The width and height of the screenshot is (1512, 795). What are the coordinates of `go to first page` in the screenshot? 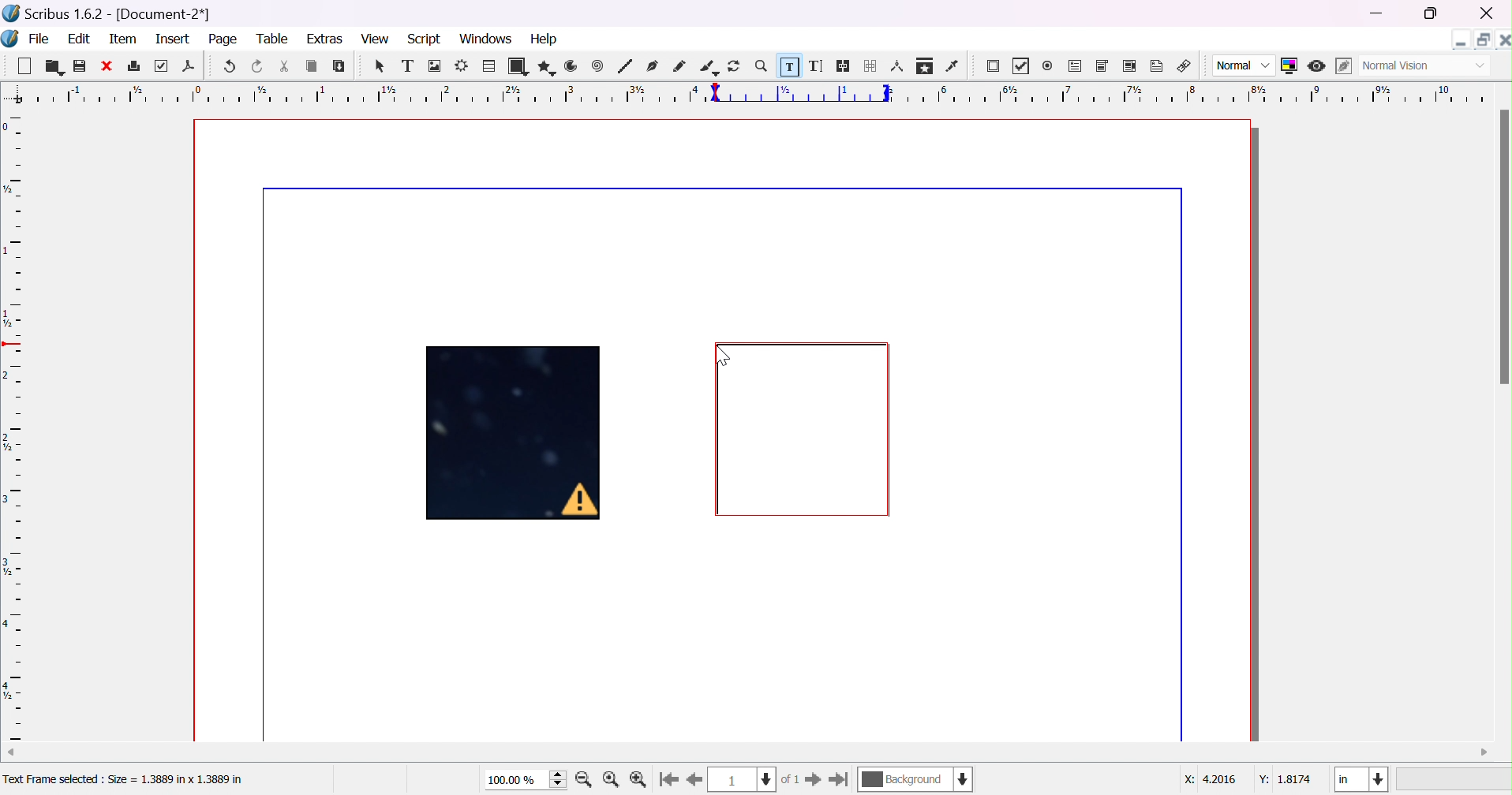 It's located at (670, 779).